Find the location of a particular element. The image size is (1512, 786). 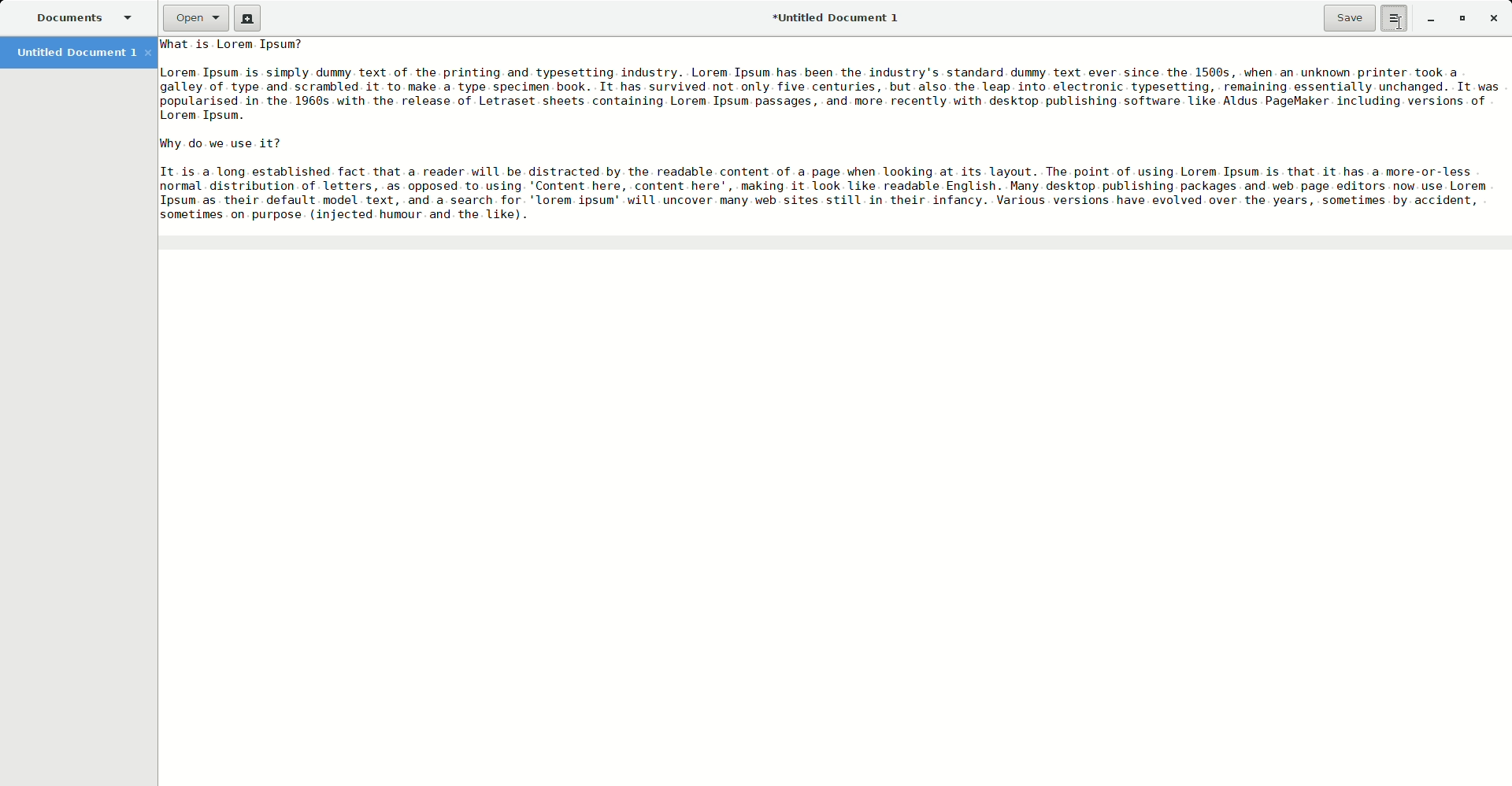

Paragraphs is located at coordinates (830, 130).